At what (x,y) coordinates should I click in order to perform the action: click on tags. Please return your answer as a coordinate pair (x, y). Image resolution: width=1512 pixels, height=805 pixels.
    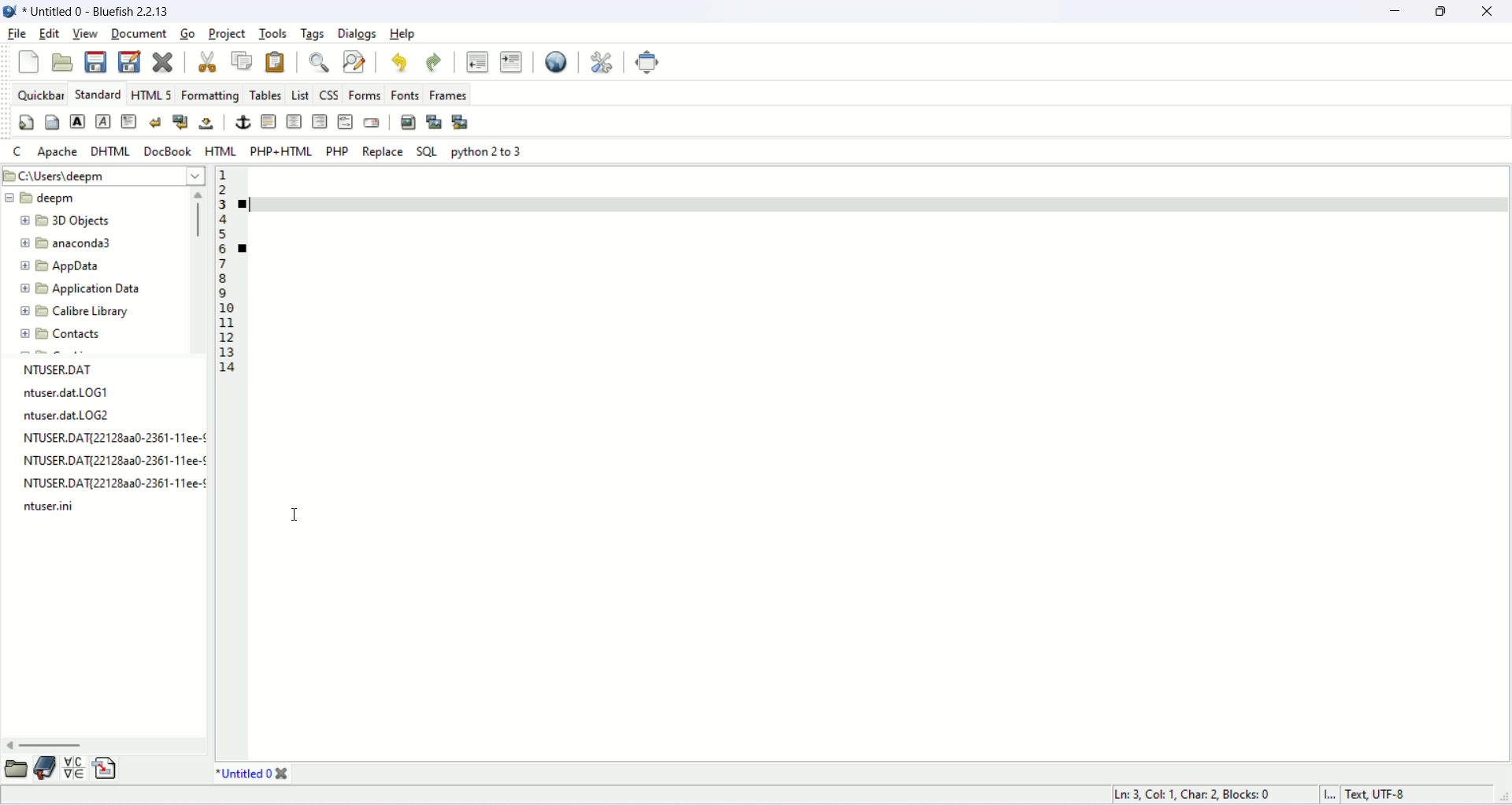
    Looking at the image, I should click on (313, 33).